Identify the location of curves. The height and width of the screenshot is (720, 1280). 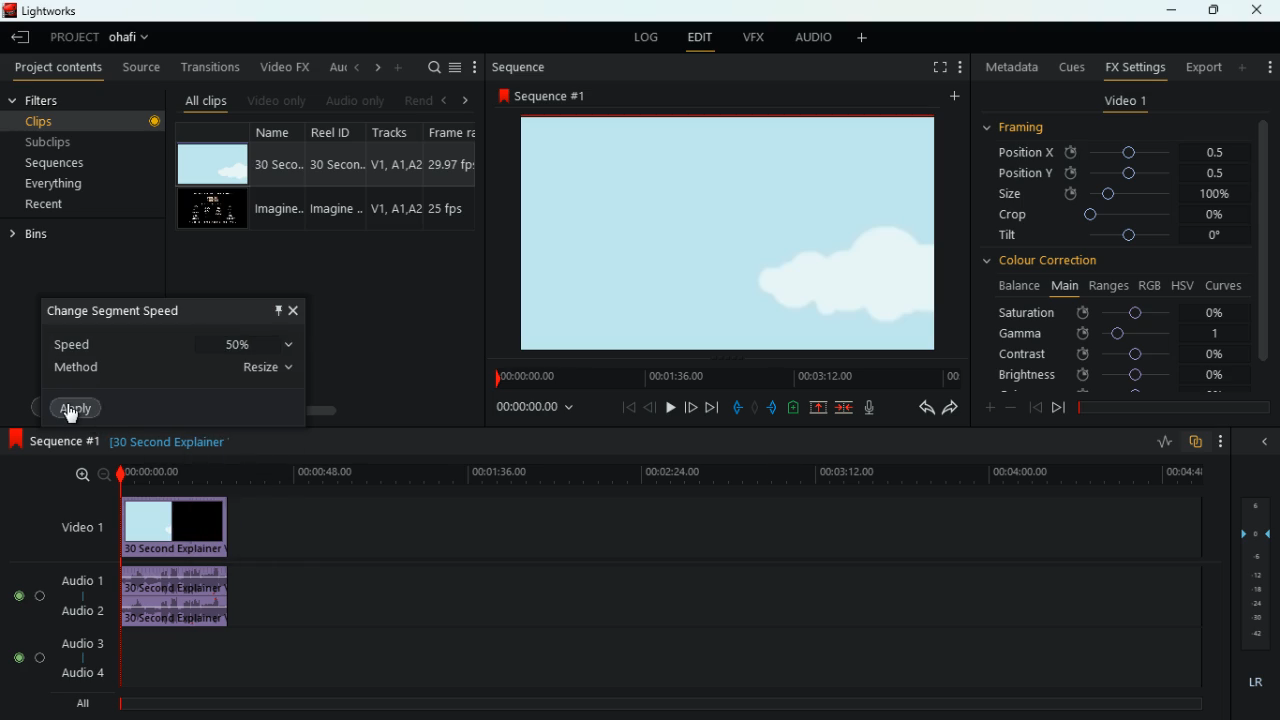
(1224, 284).